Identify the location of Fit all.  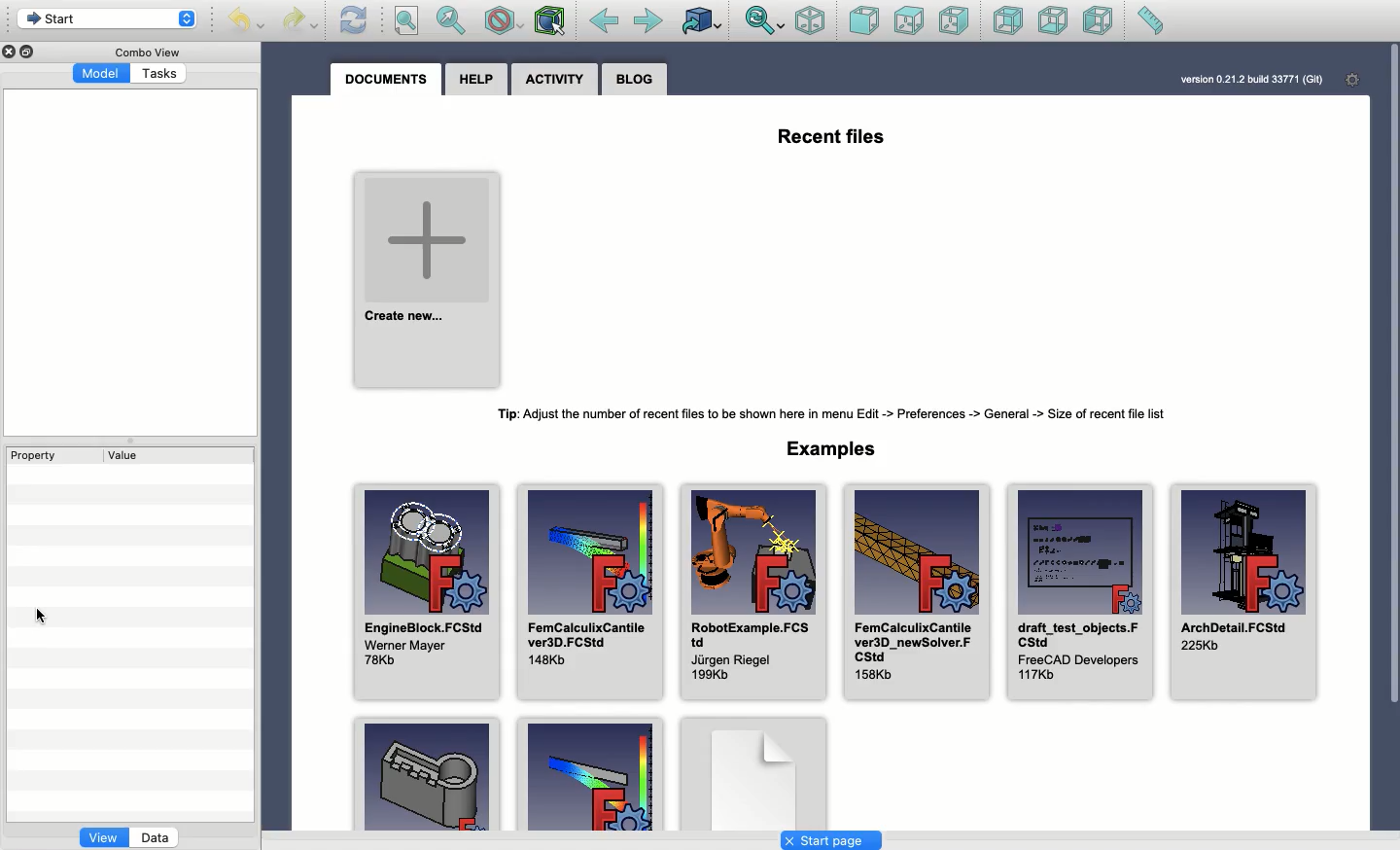
(406, 20).